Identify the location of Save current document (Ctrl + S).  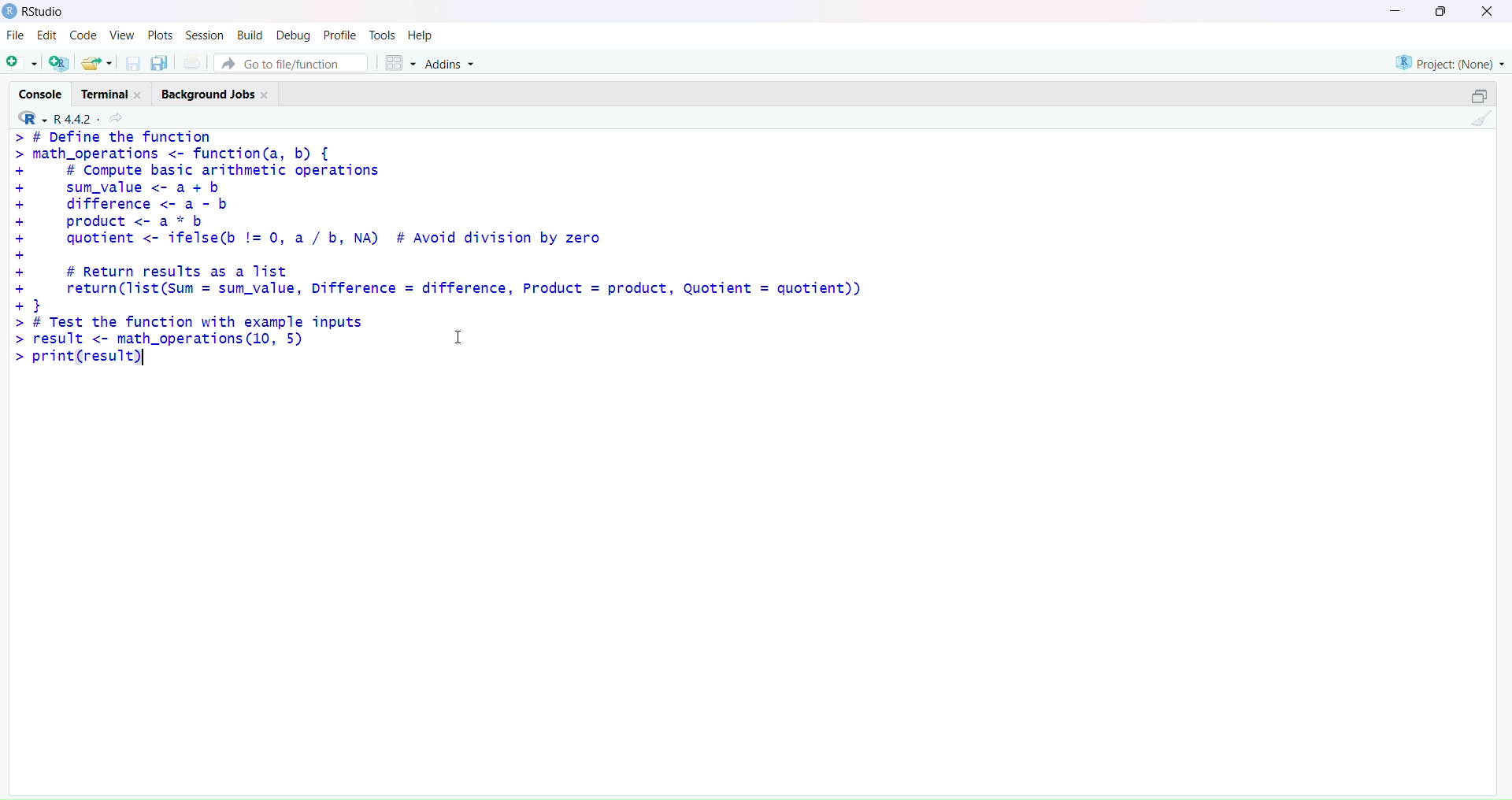
(133, 61).